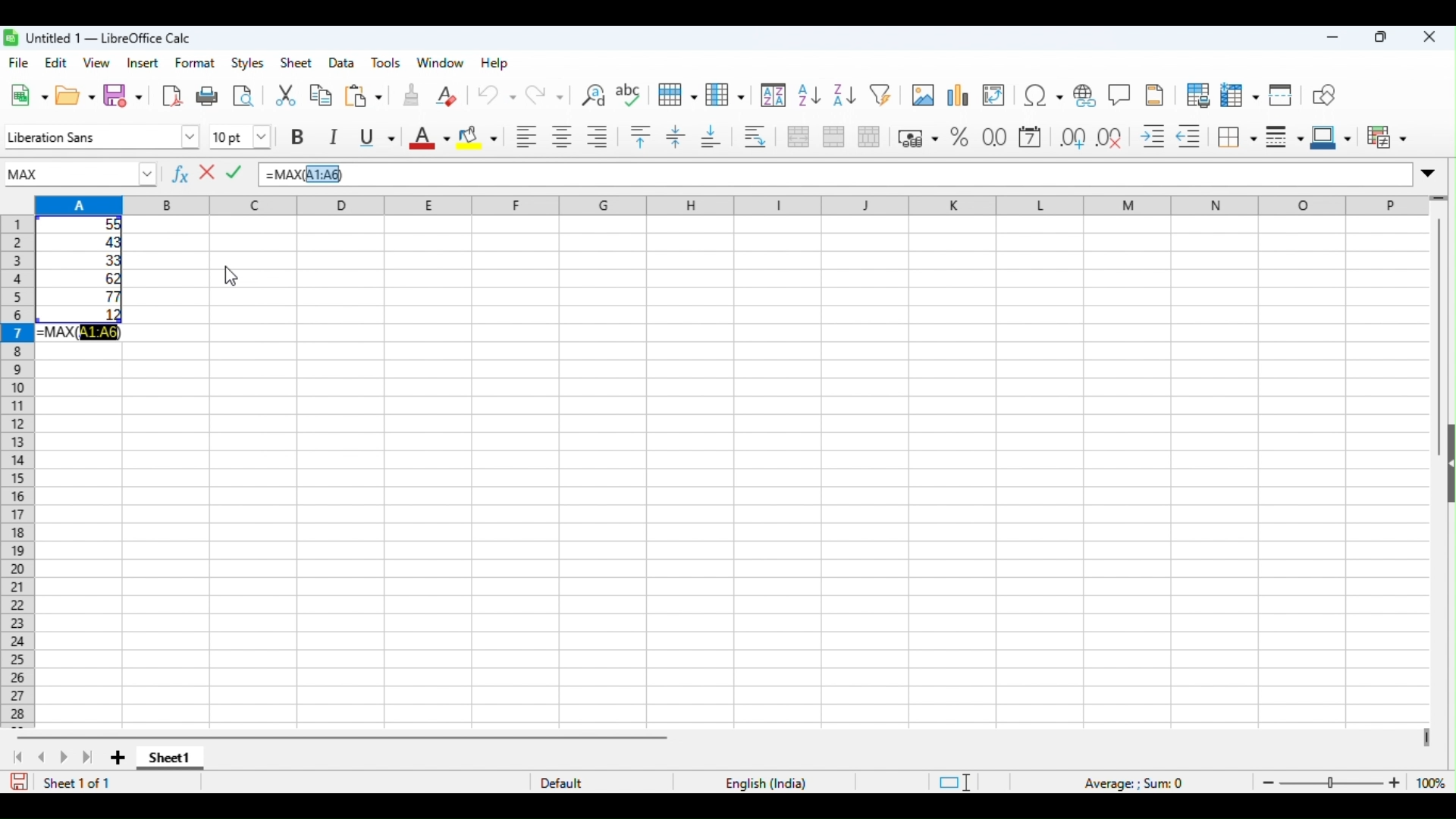 Image resolution: width=1456 pixels, height=819 pixels. Describe the element at coordinates (19, 782) in the screenshot. I see `save` at that location.